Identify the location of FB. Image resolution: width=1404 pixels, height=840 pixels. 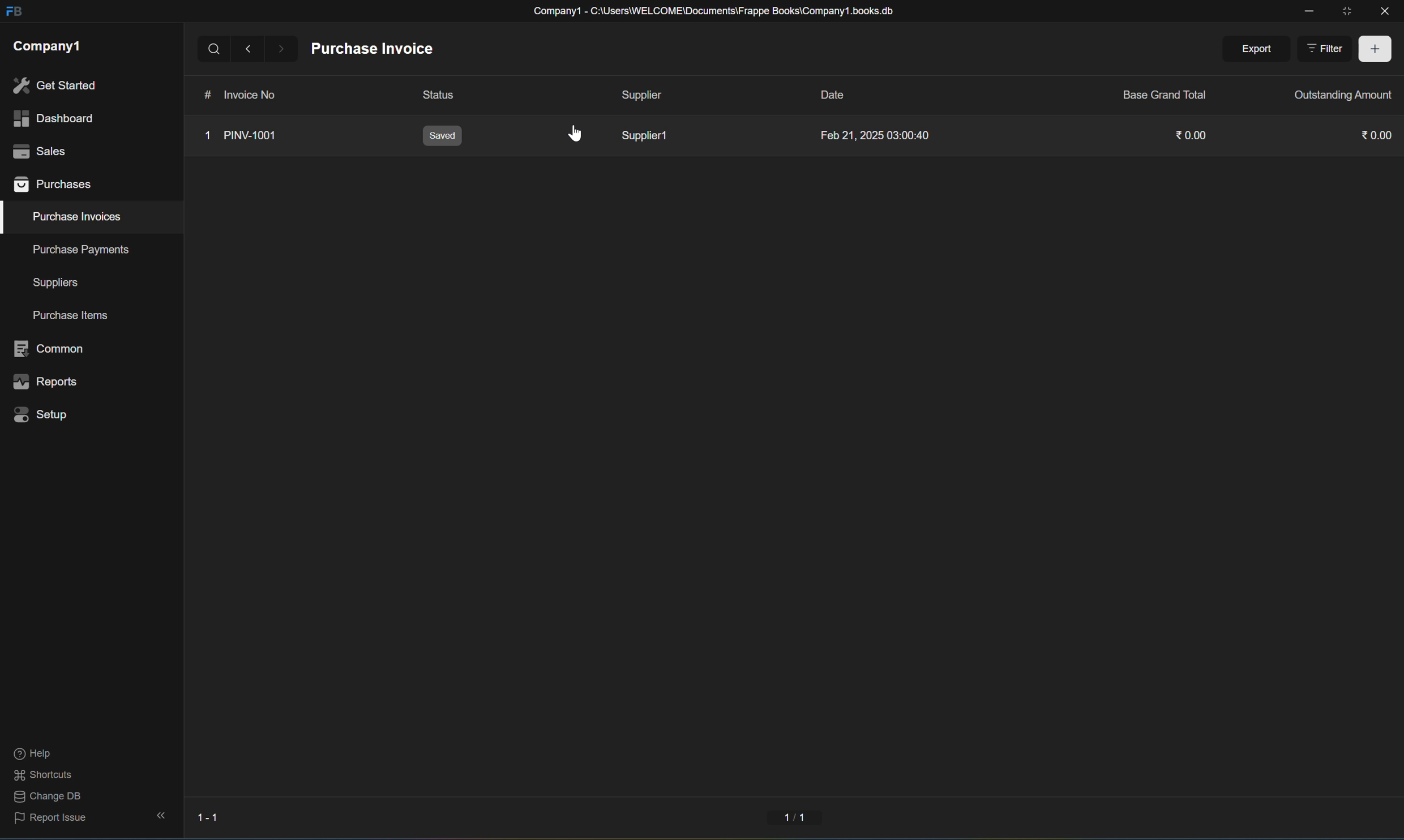
(13, 12).